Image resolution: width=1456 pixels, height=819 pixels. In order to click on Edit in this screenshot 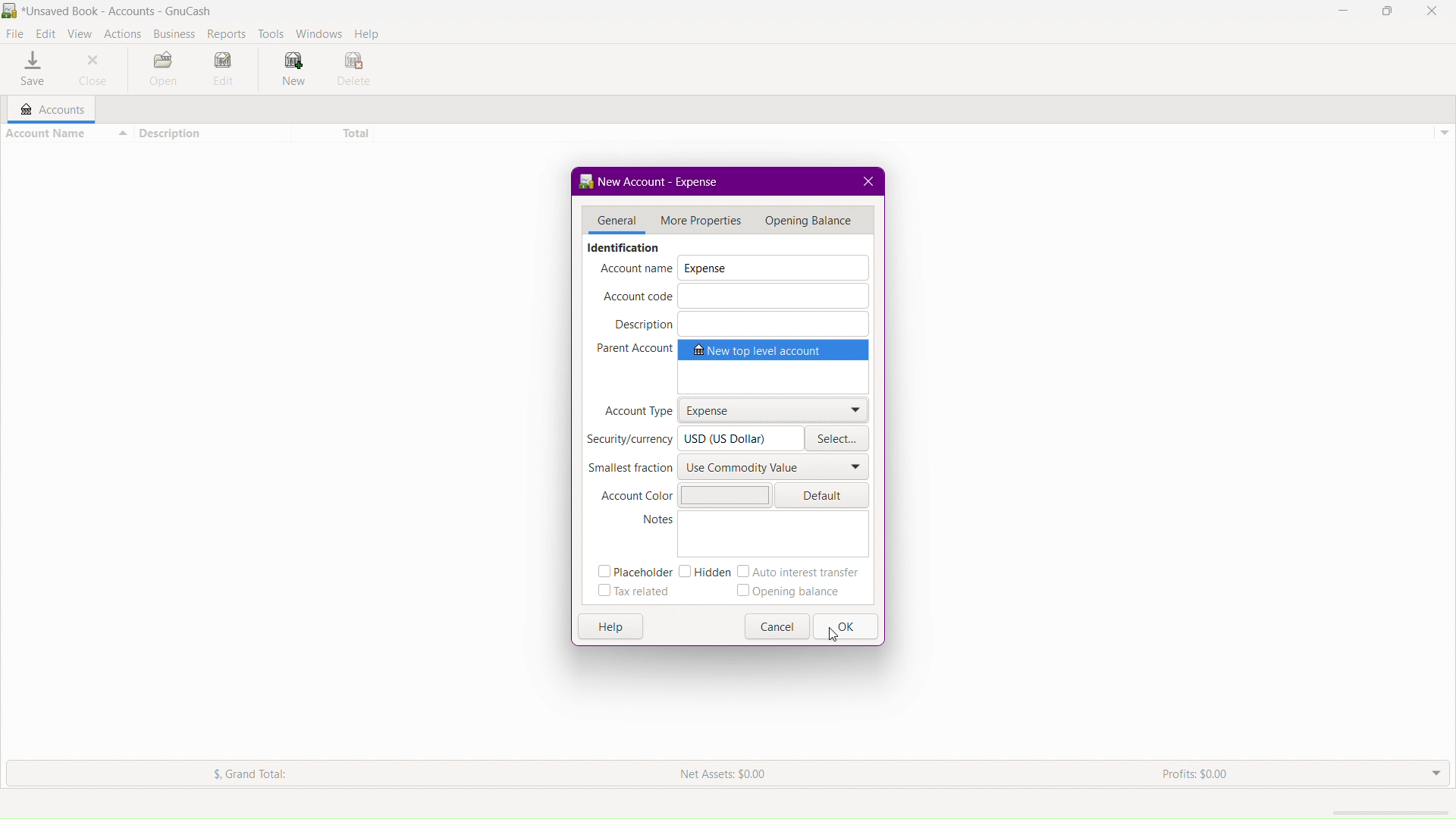, I will do `click(225, 71)`.